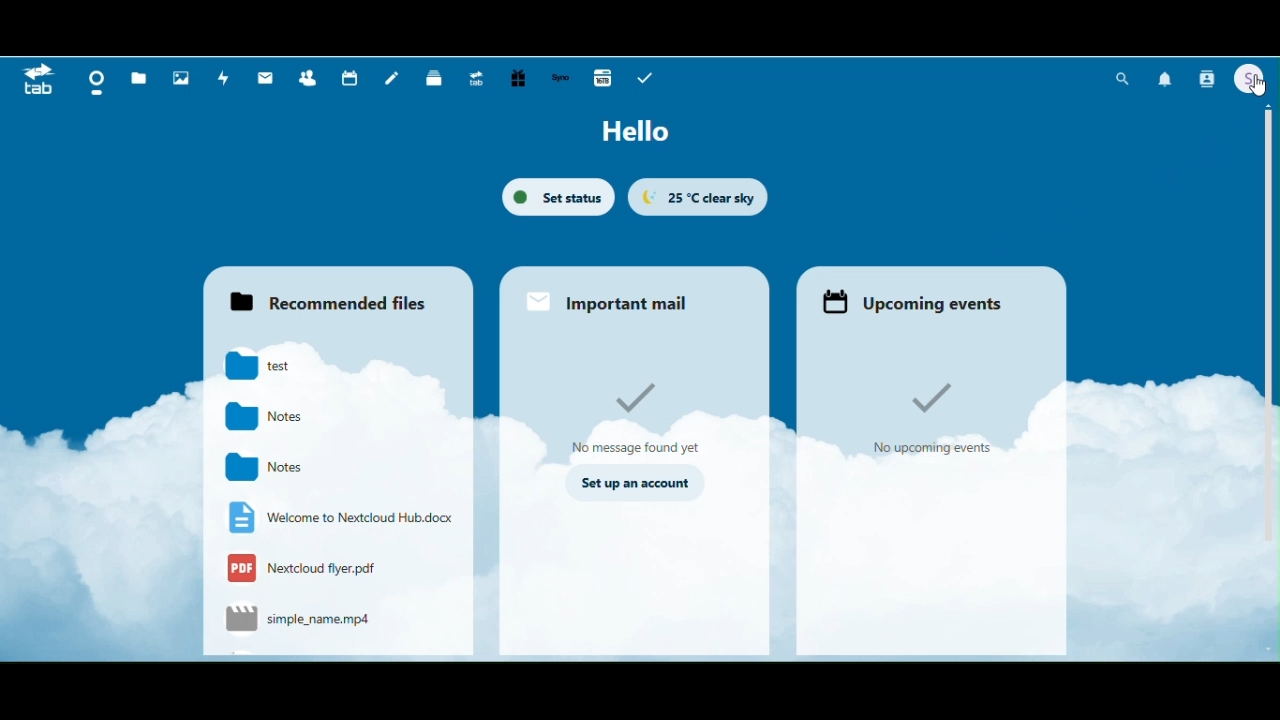 The width and height of the screenshot is (1280, 720). Describe the element at coordinates (645, 78) in the screenshot. I see `tasks` at that location.